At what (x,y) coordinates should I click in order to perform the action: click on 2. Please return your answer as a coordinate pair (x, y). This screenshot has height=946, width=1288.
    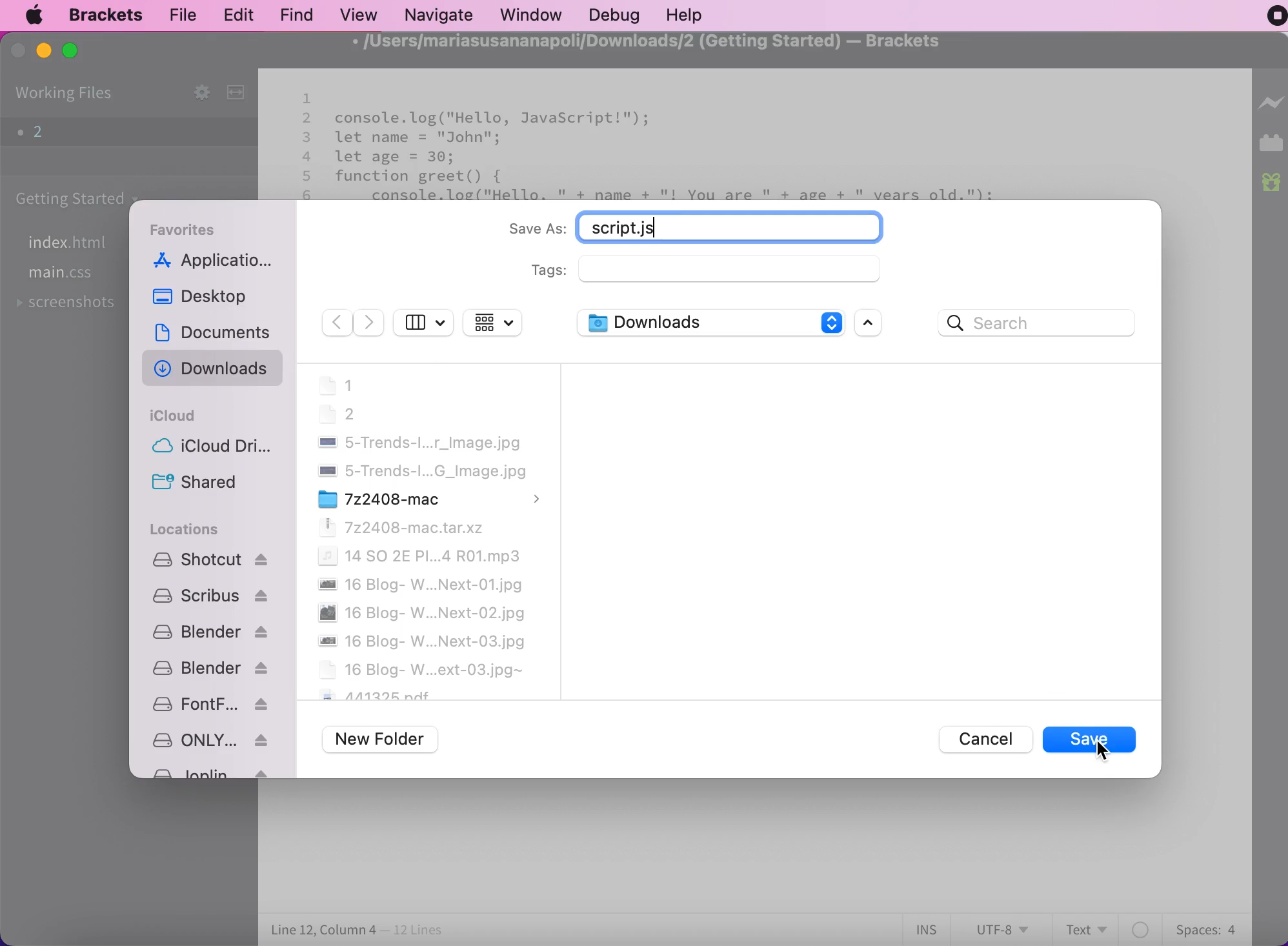
    Looking at the image, I should click on (308, 118).